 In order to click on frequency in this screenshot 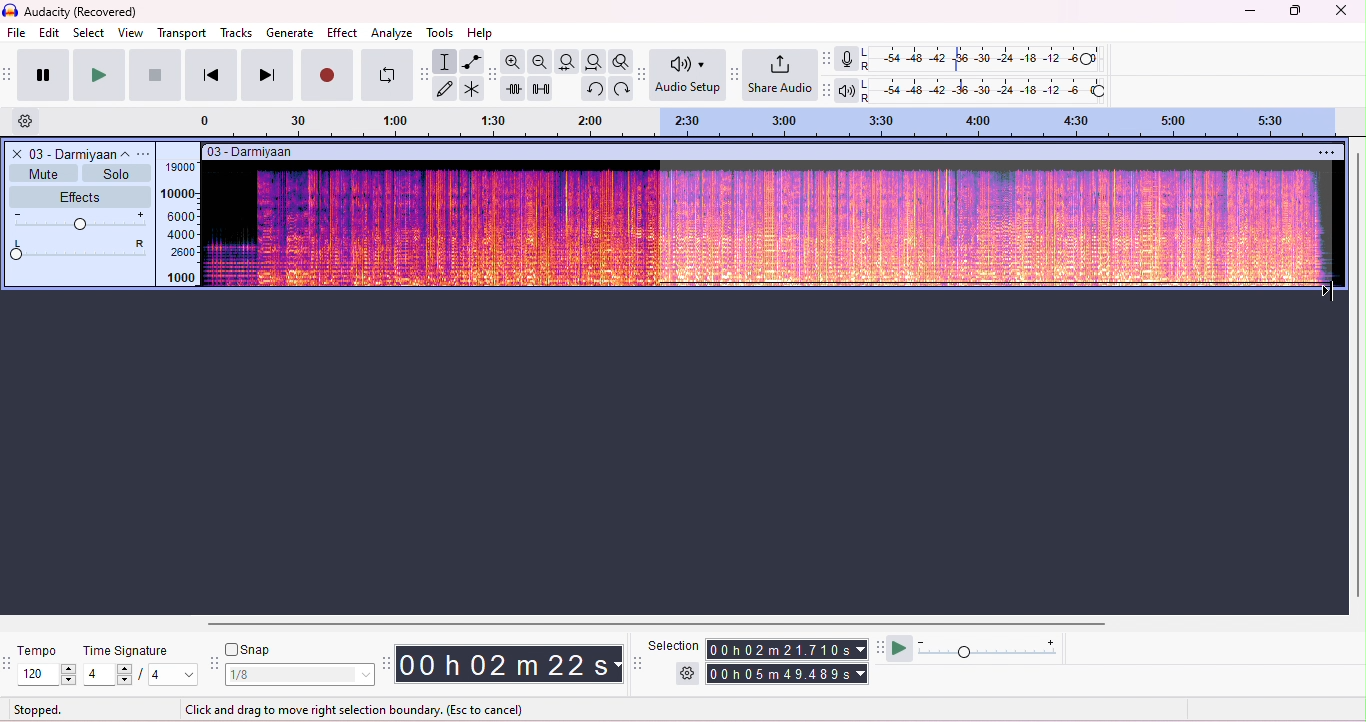, I will do `click(179, 222)`.